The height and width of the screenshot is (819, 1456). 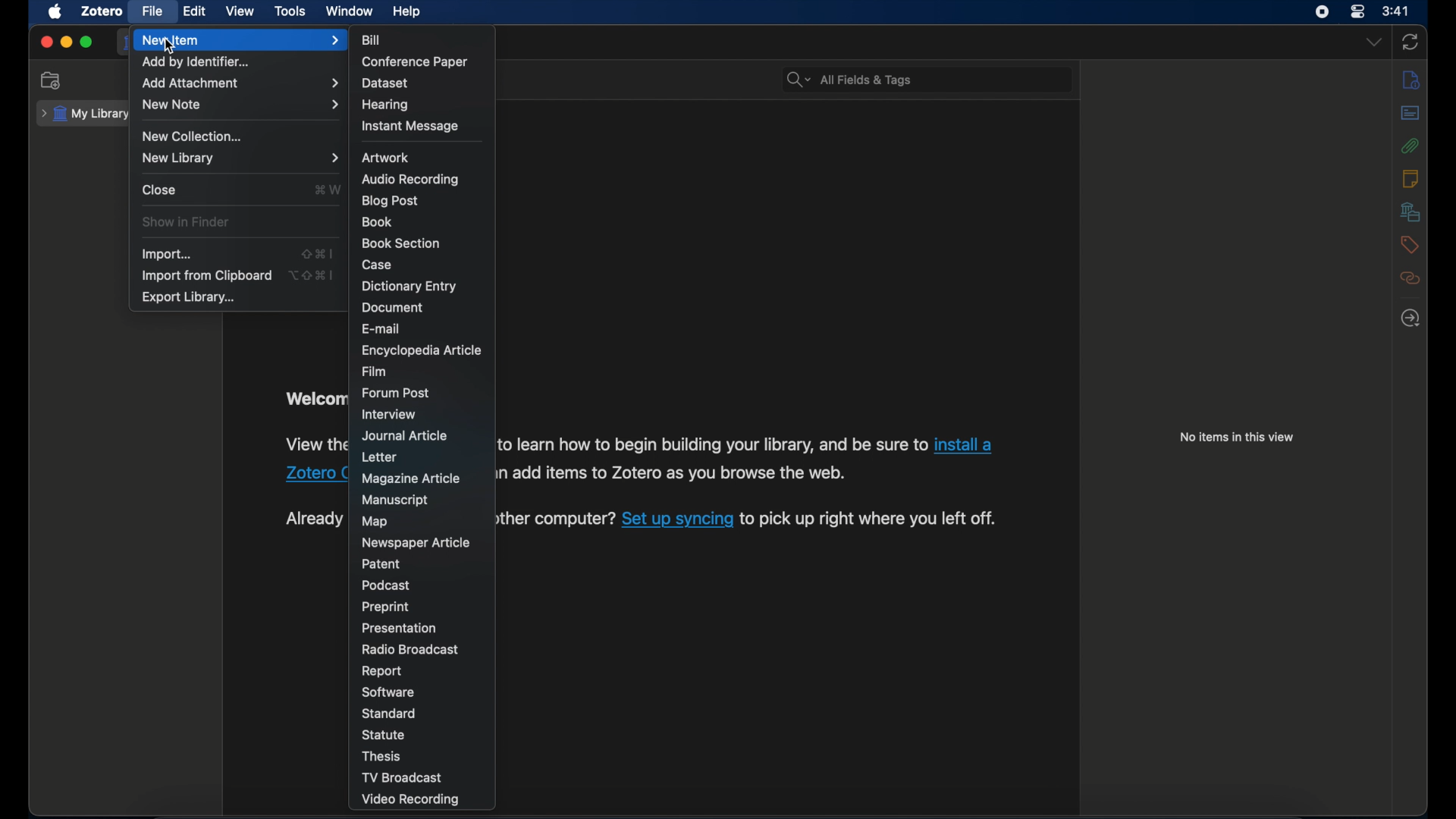 What do you see at coordinates (388, 607) in the screenshot?
I see `preprint` at bounding box center [388, 607].